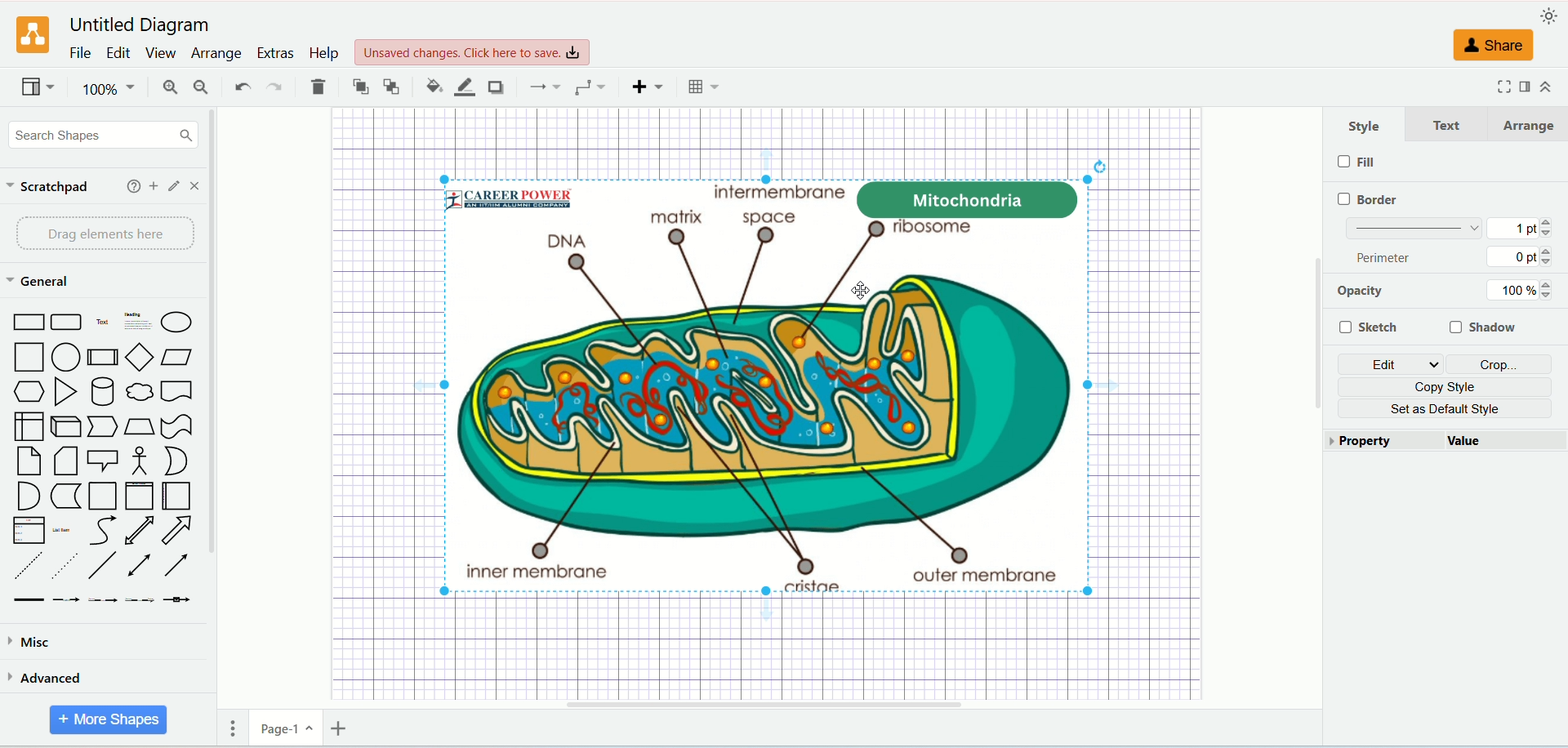 Image resolution: width=1568 pixels, height=748 pixels. I want to click on Directional Connector, so click(180, 568).